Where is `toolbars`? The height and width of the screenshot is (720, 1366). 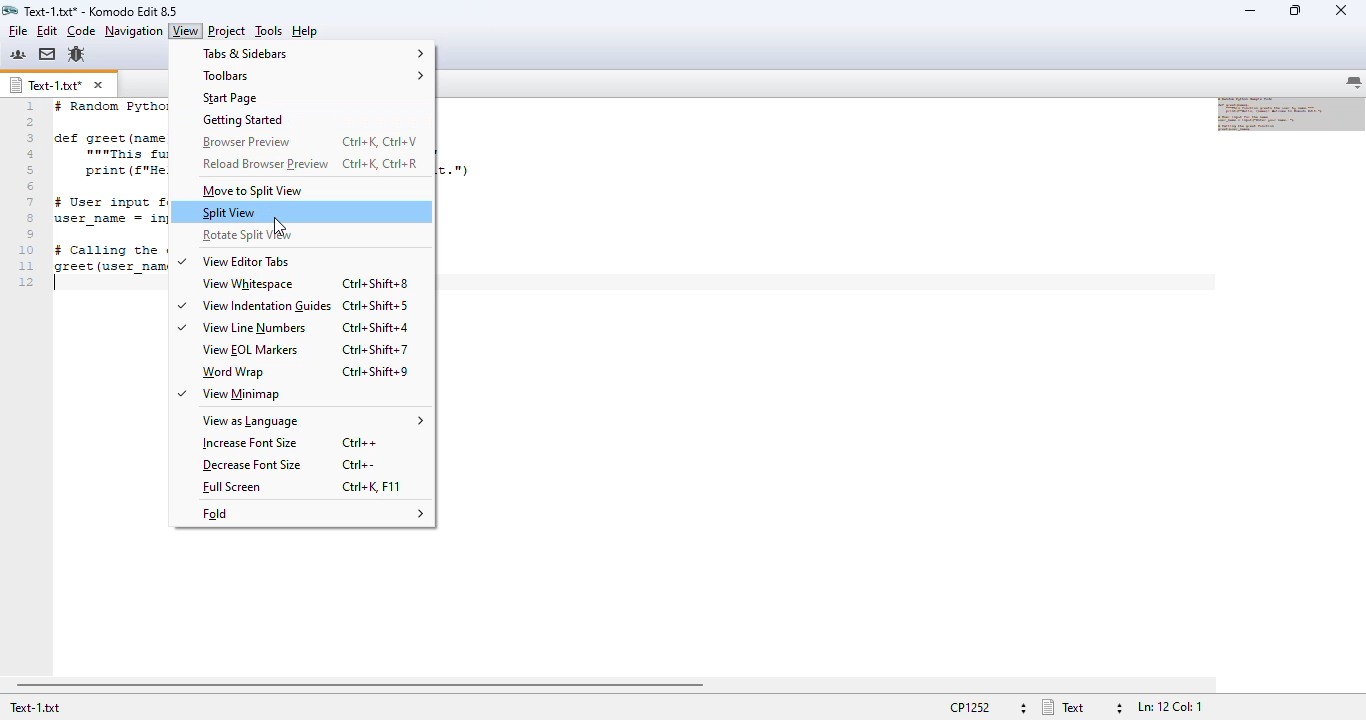
toolbars is located at coordinates (312, 76).